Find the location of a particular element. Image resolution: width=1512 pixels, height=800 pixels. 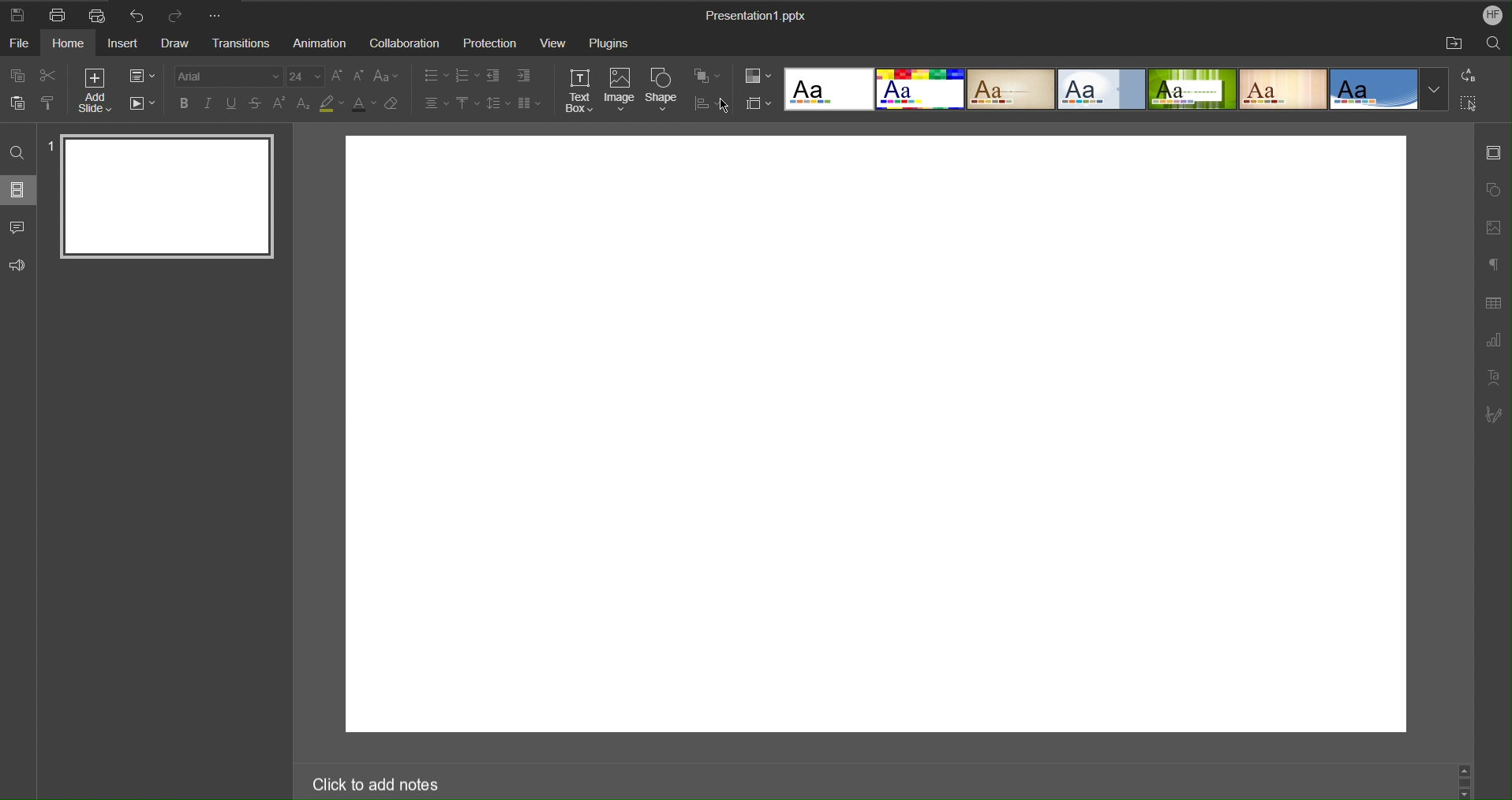

Slide 1 is located at coordinates (170, 200).